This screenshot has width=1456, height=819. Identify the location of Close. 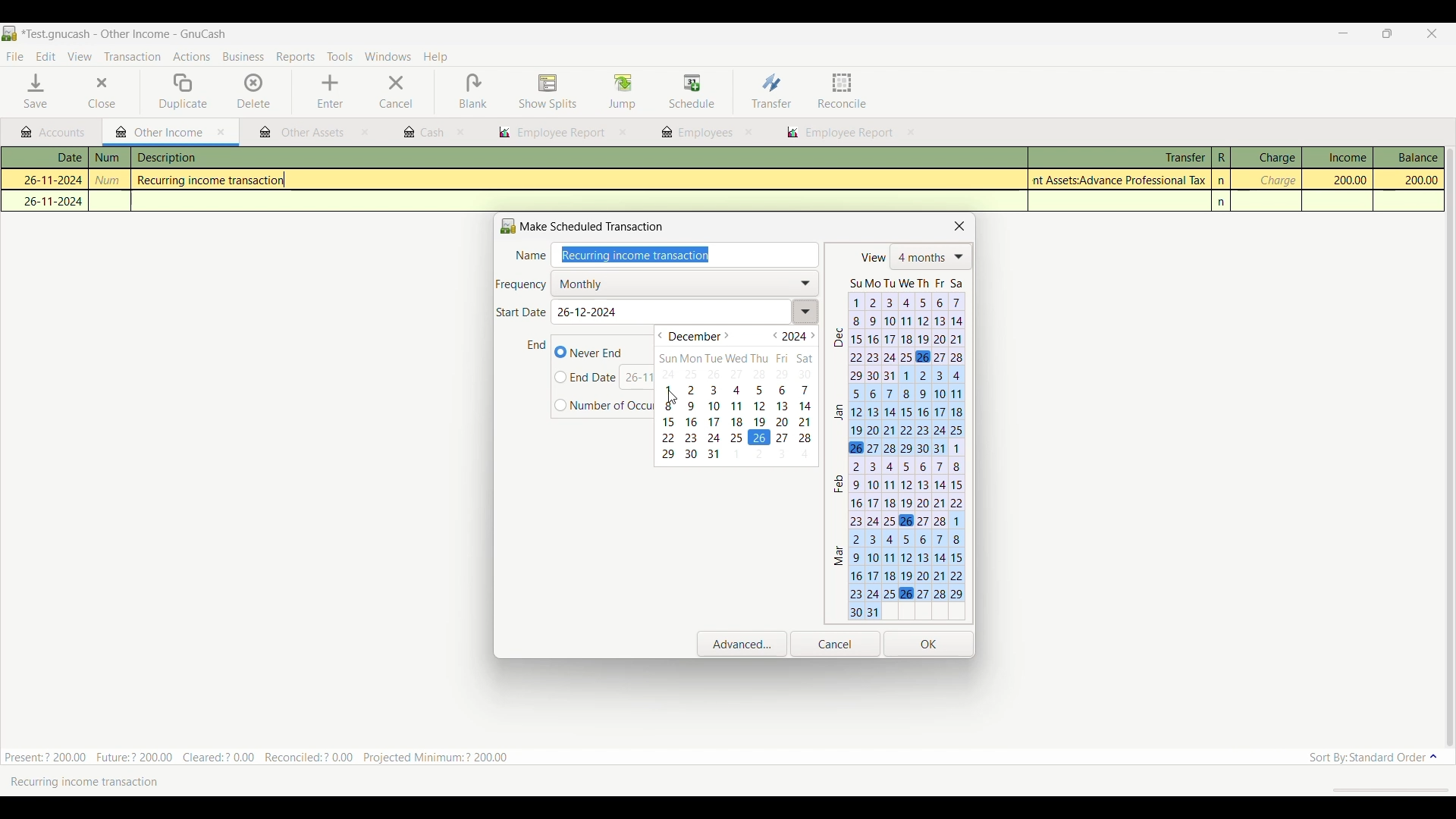
(91, 93).